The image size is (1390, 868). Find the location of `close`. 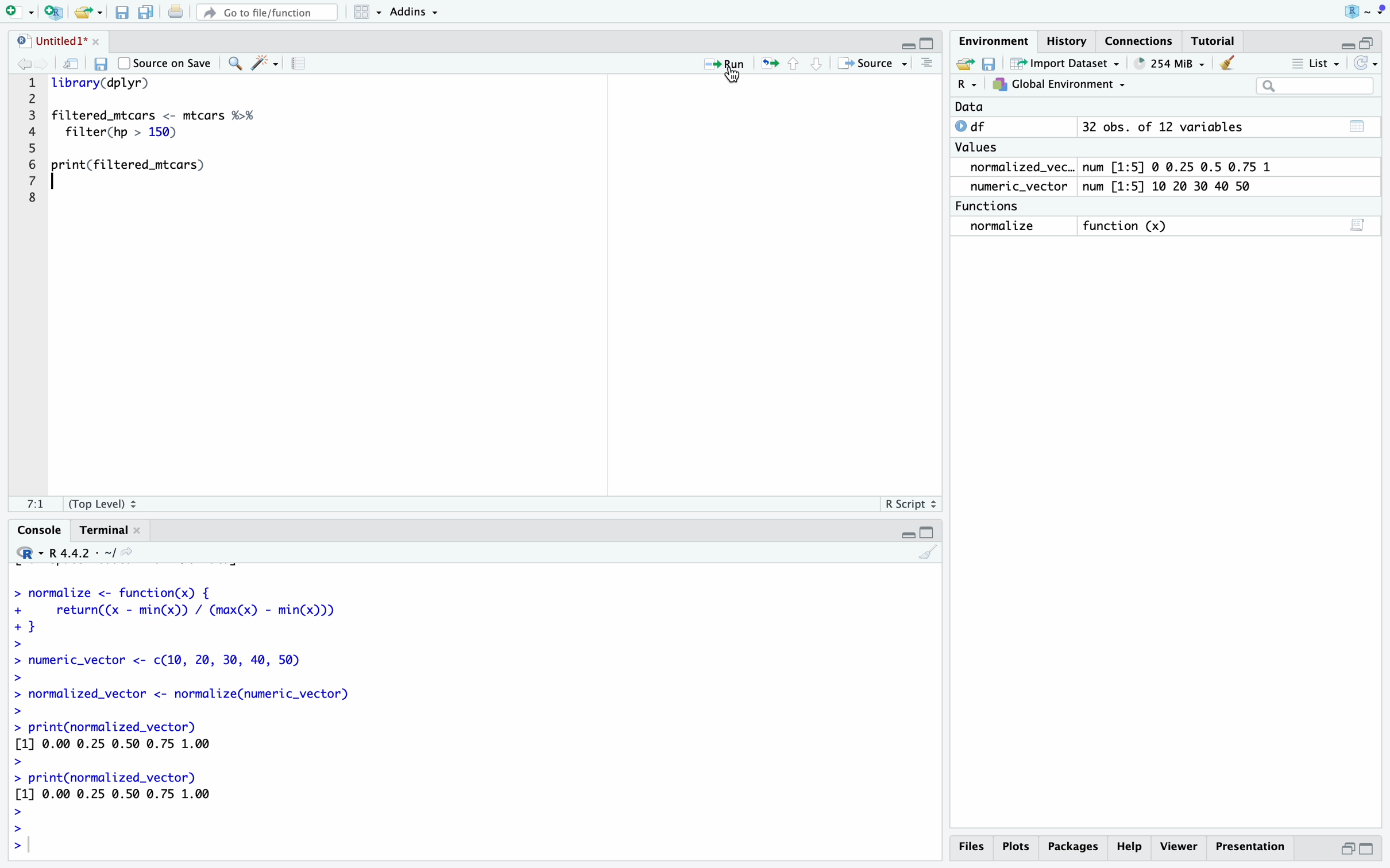

close is located at coordinates (97, 40).